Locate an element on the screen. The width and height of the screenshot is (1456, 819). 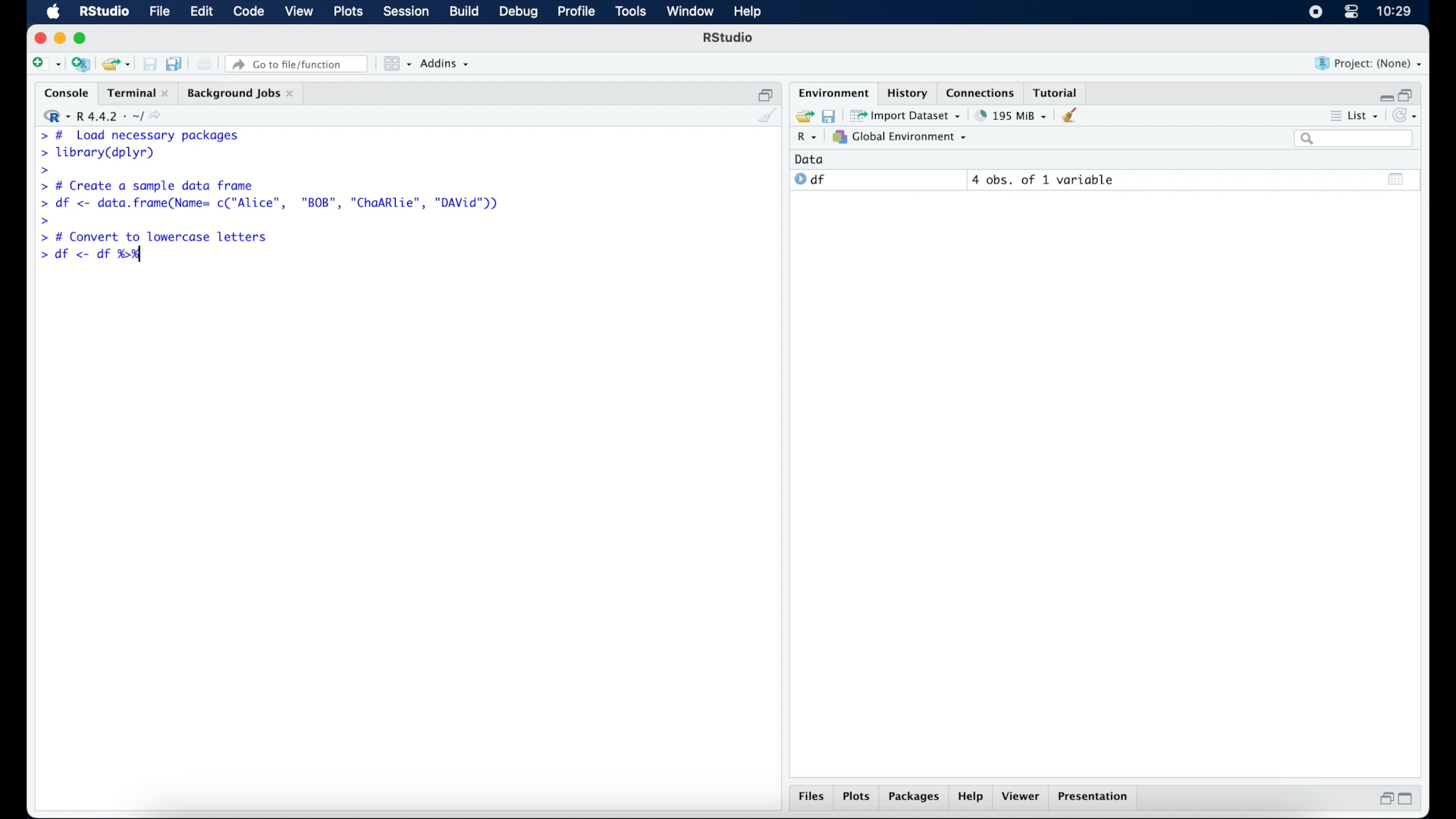
save is located at coordinates (149, 64).